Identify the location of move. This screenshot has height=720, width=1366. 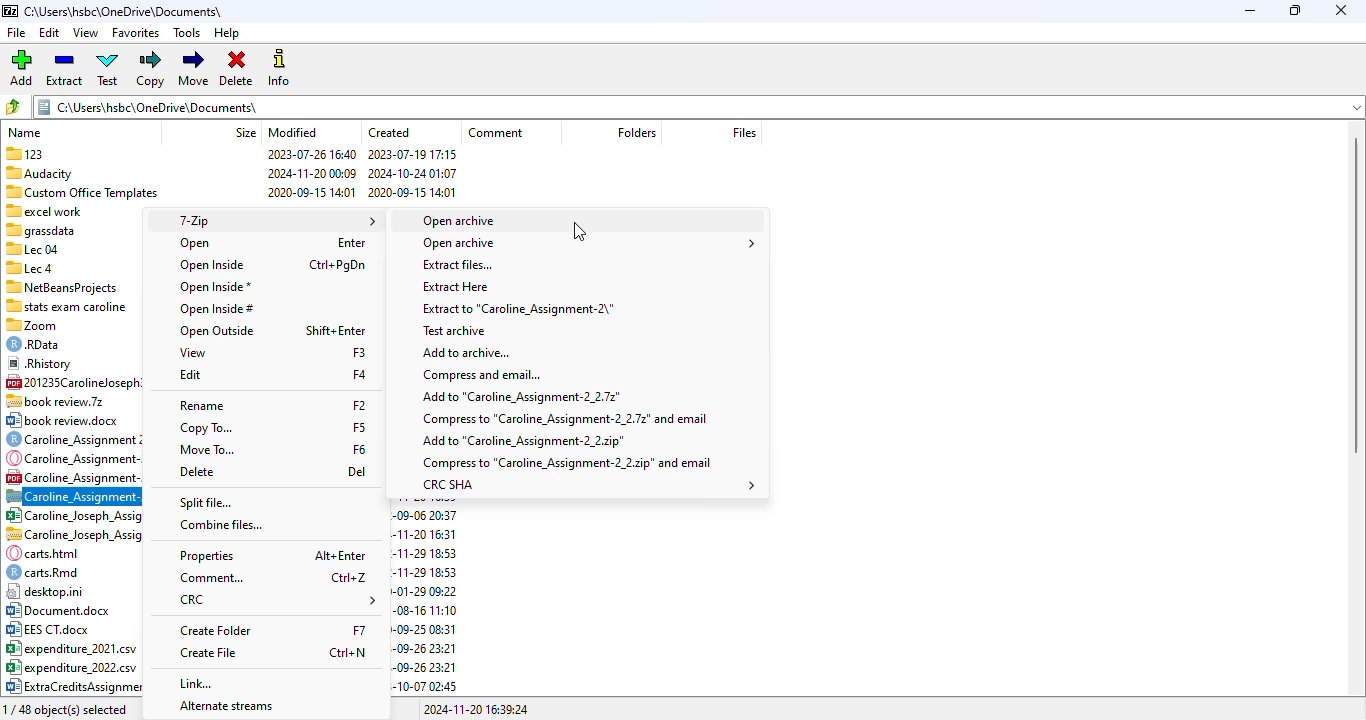
(195, 68).